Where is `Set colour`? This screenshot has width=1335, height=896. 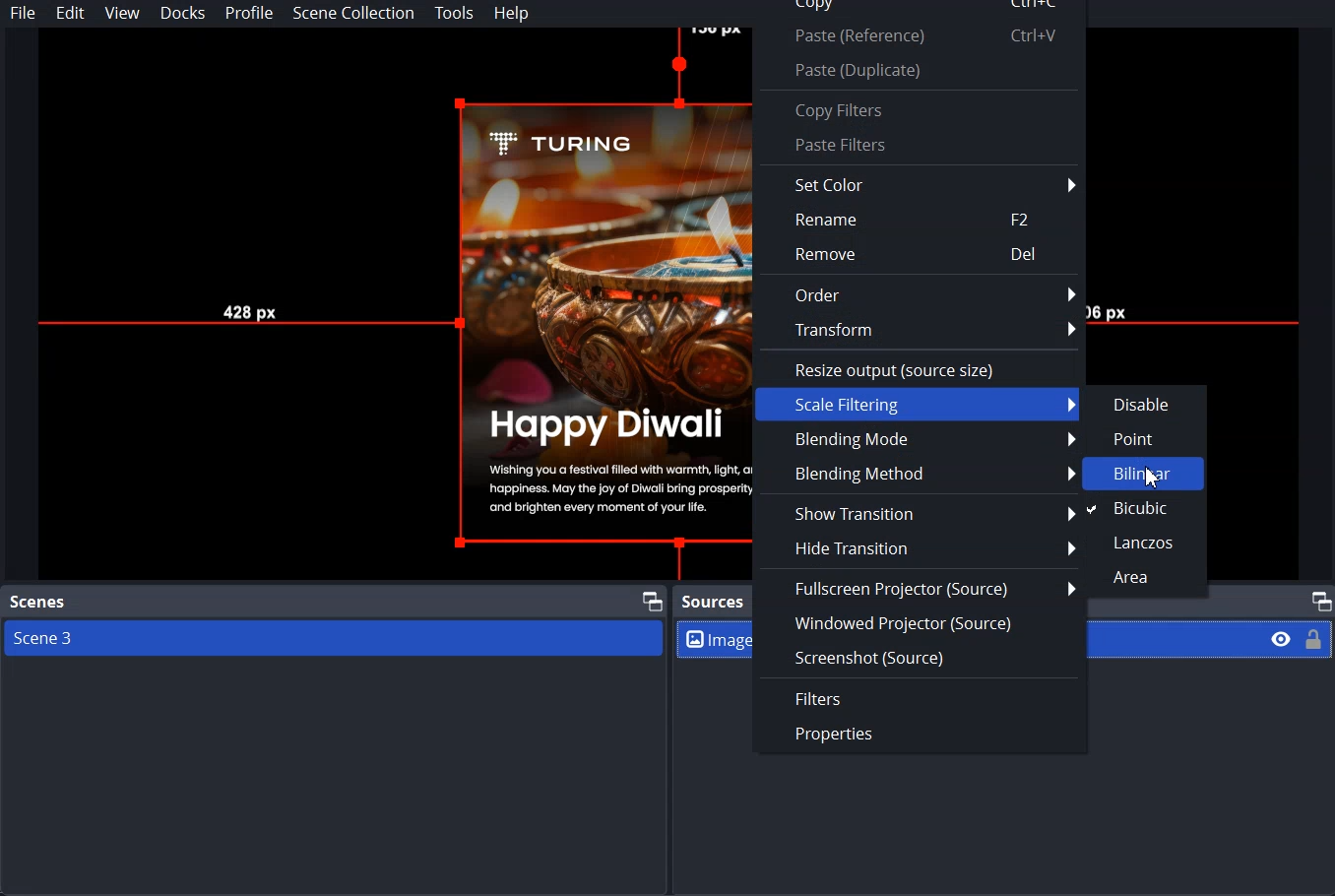
Set colour is located at coordinates (920, 183).